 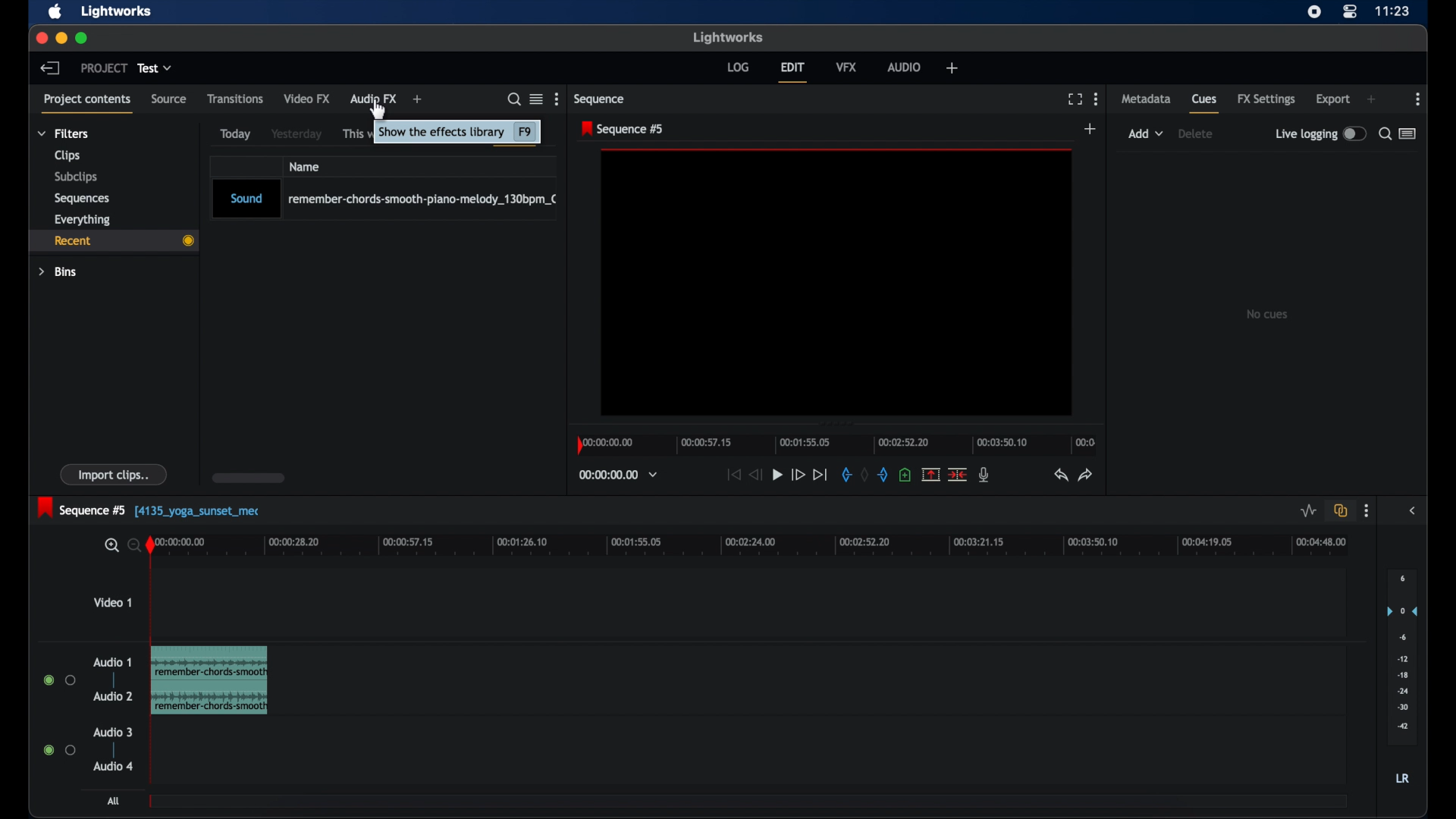 I want to click on project contents, so click(x=87, y=102).